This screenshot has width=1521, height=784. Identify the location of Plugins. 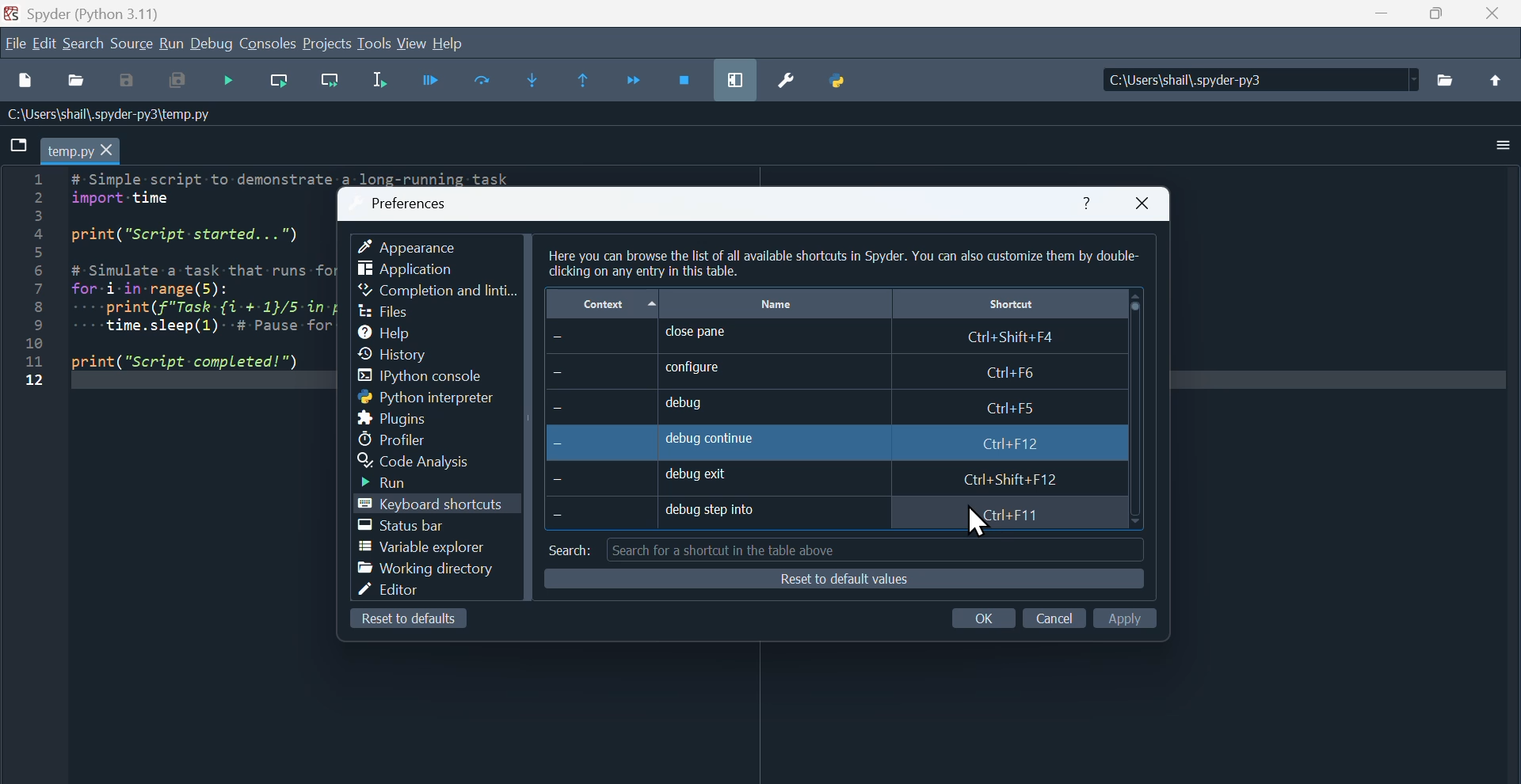
(401, 417).